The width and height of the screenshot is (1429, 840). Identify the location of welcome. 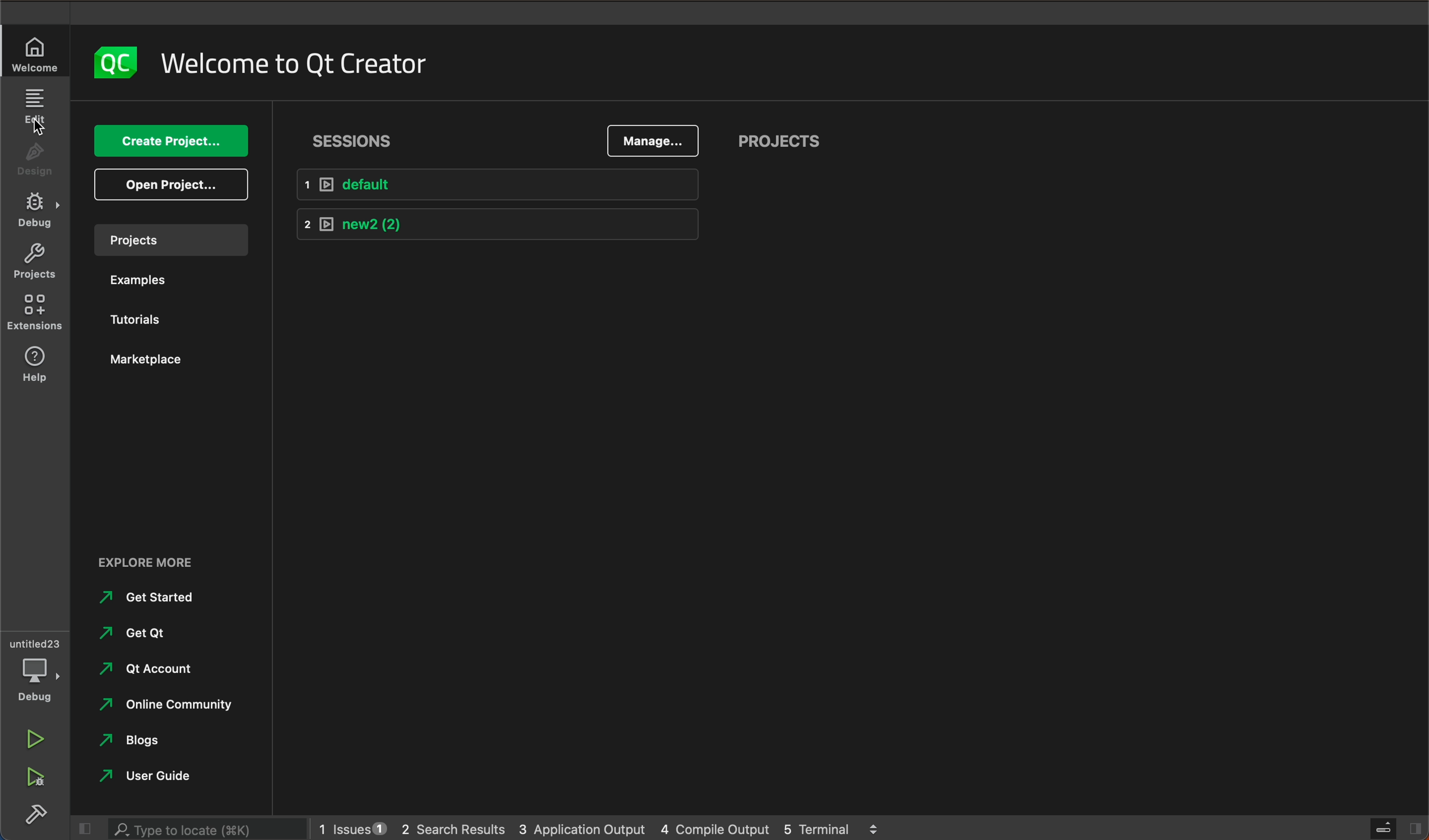
(34, 51).